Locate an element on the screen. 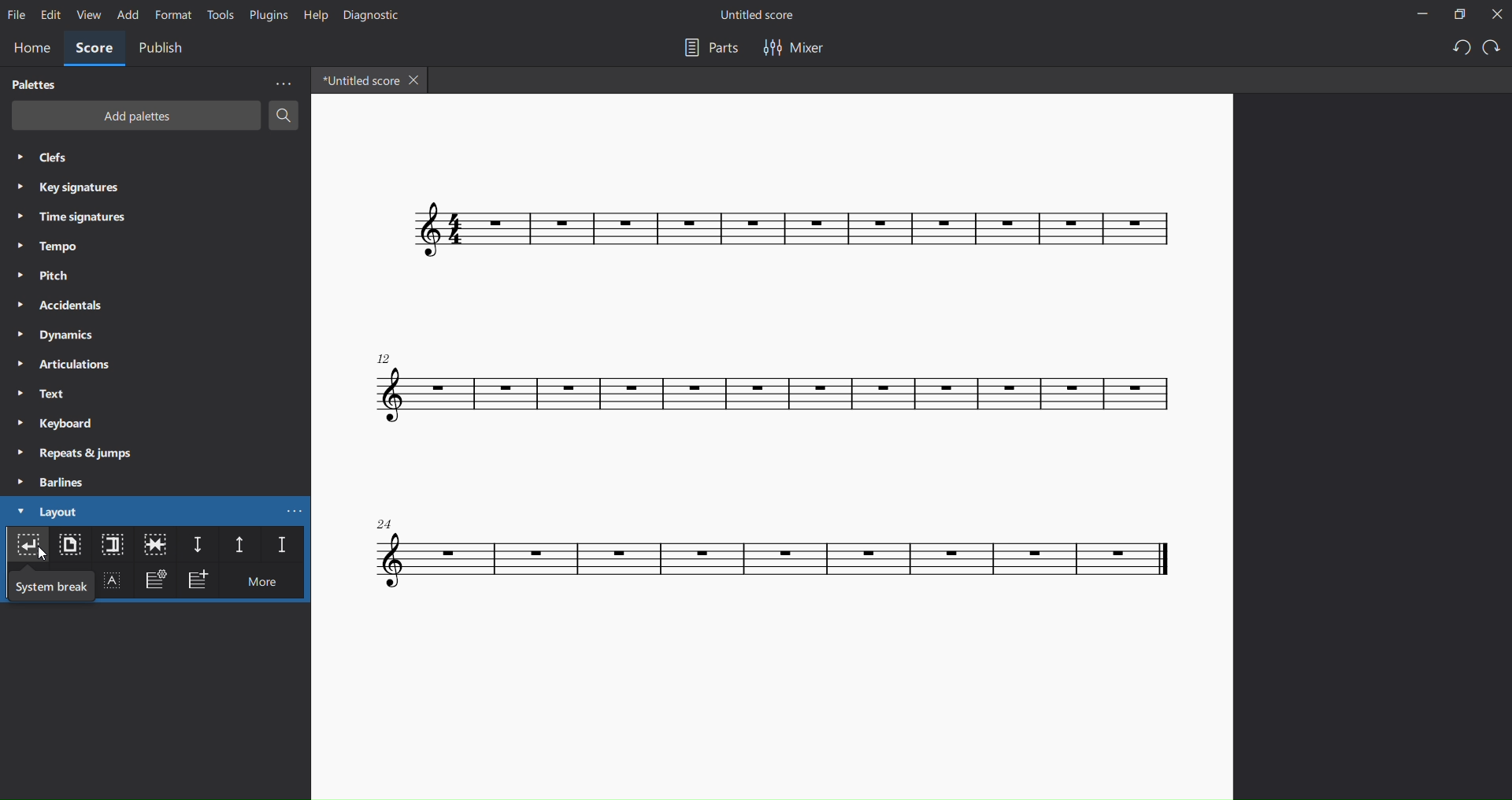 This screenshot has width=1512, height=800. redo is located at coordinates (1492, 49).